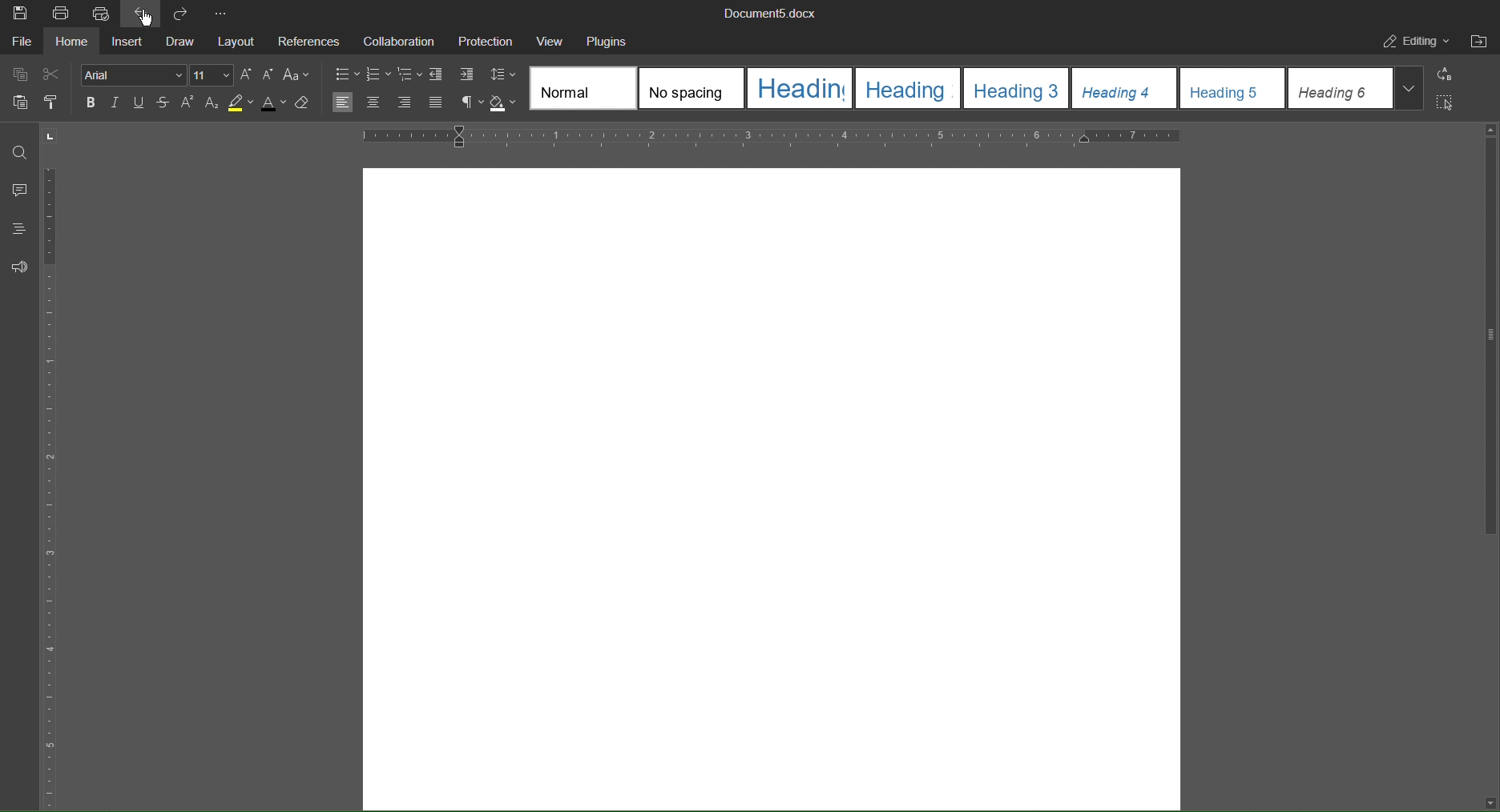 The image size is (1500, 812). What do you see at coordinates (502, 74) in the screenshot?
I see `Line Spacing` at bounding box center [502, 74].